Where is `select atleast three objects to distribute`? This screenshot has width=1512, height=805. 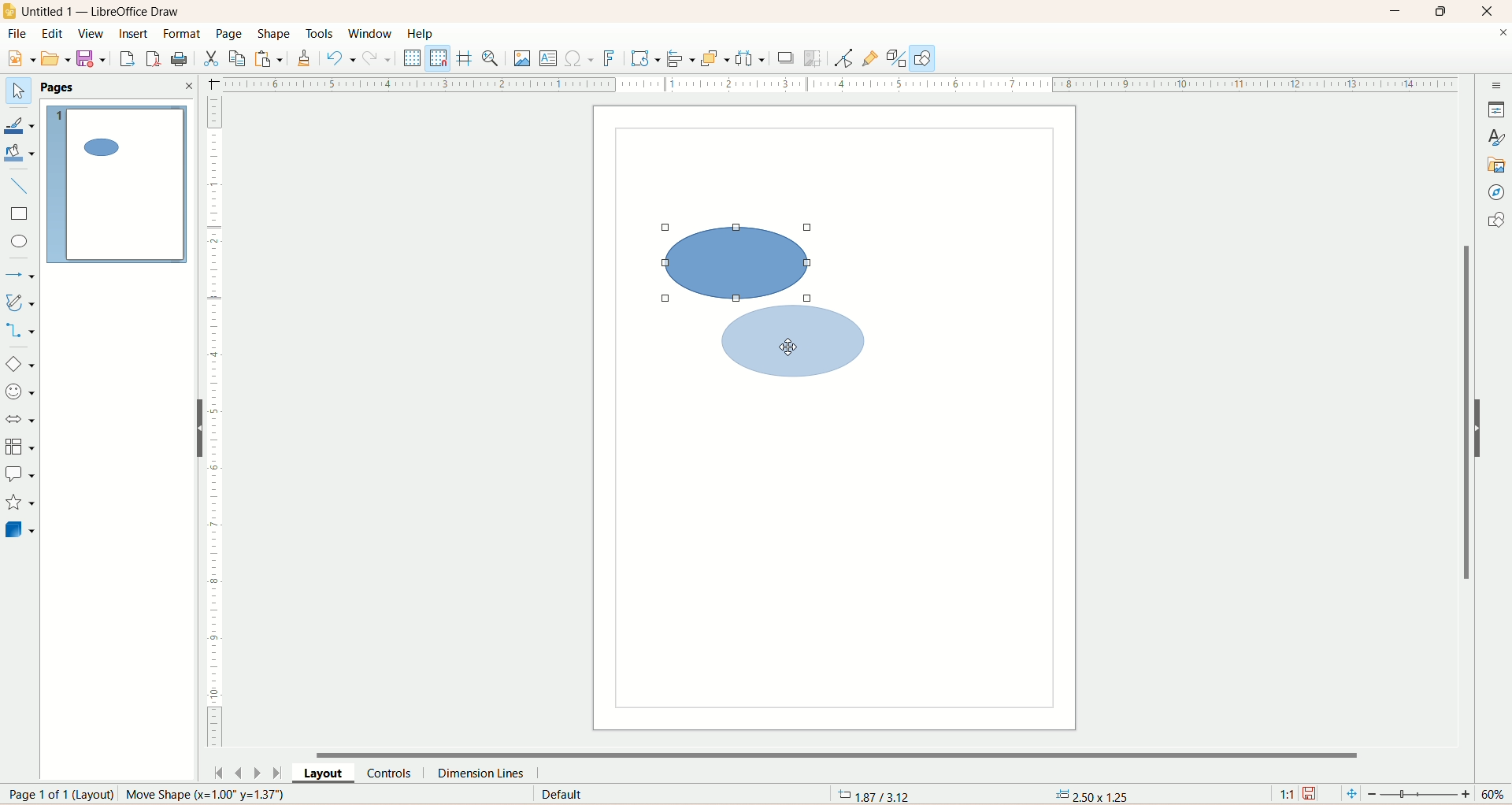
select atleast three objects to distribute is located at coordinates (752, 58).